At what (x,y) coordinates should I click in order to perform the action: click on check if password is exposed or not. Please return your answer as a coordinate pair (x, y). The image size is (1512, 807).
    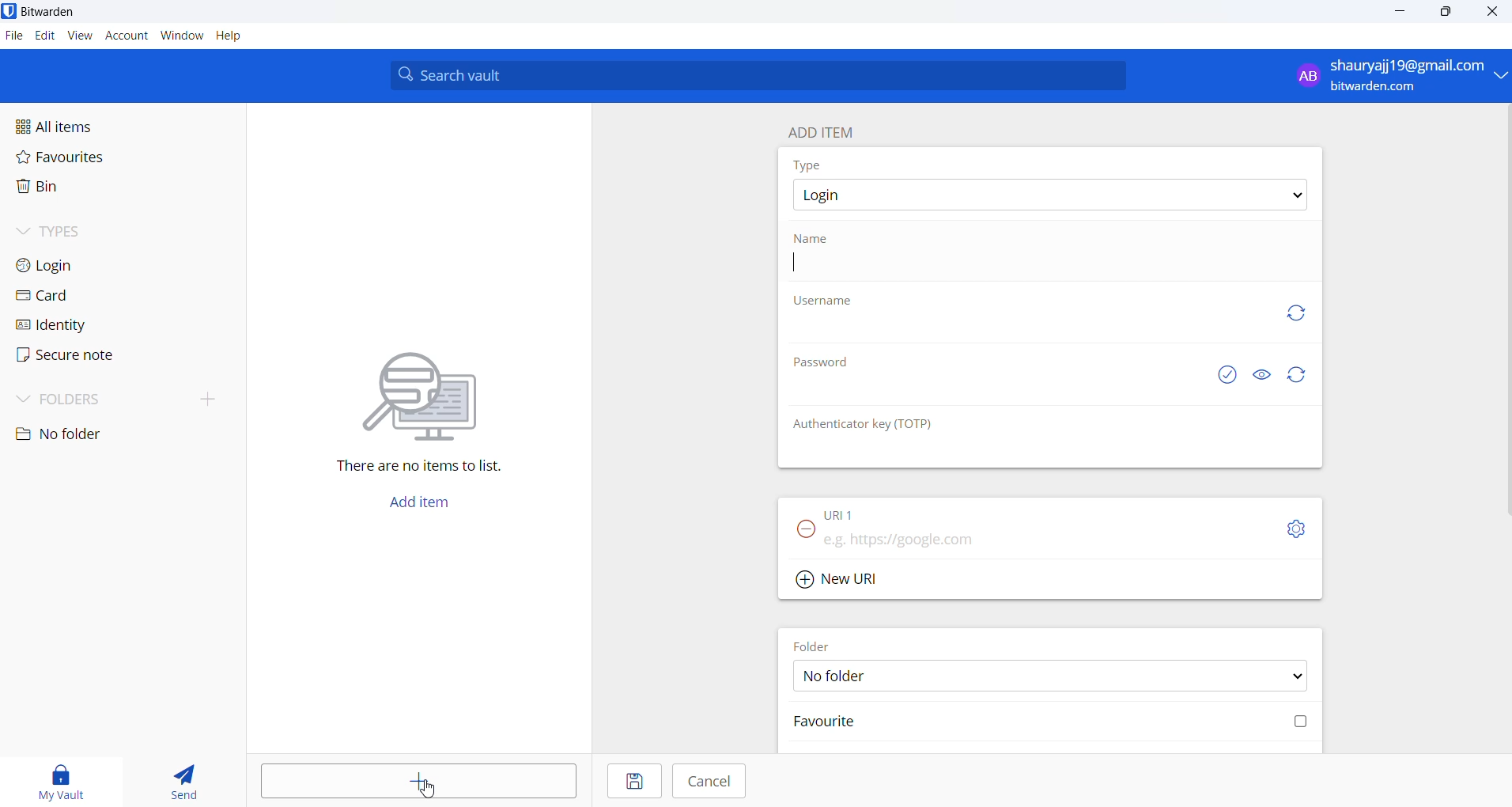
    Looking at the image, I should click on (1230, 375).